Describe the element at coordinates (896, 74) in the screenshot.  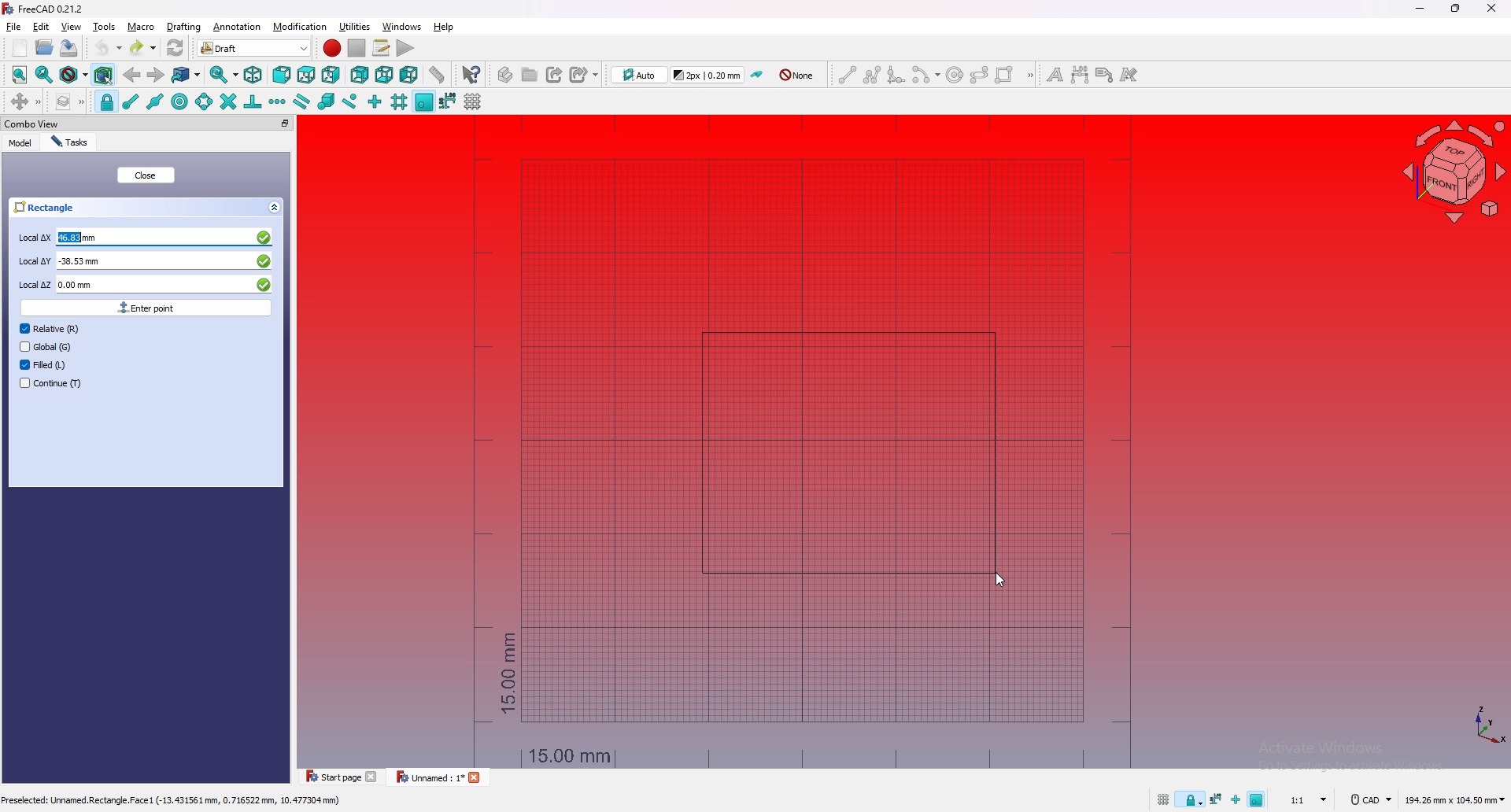
I see `fillet` at that location.